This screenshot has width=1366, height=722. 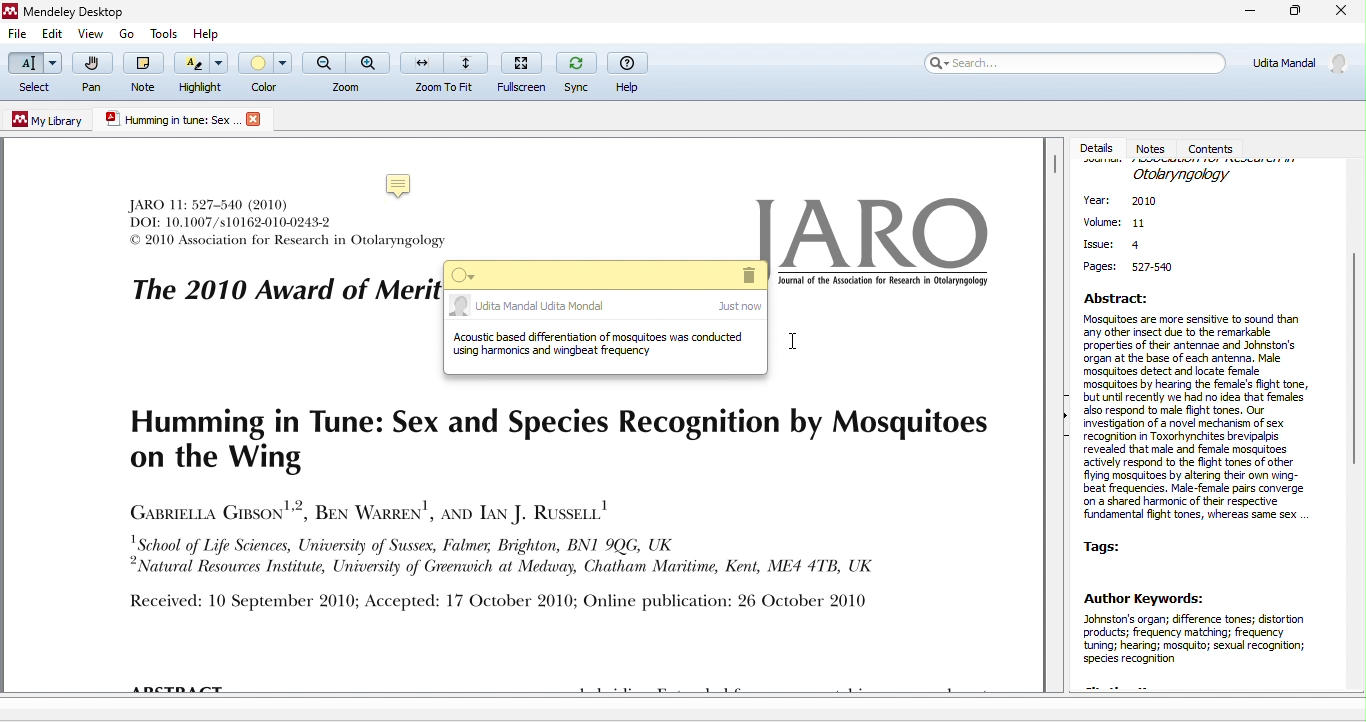 What do you see at coordinates (1215, 147) in the screenshot?
I see `contents` at bounding box center [1215, 147].